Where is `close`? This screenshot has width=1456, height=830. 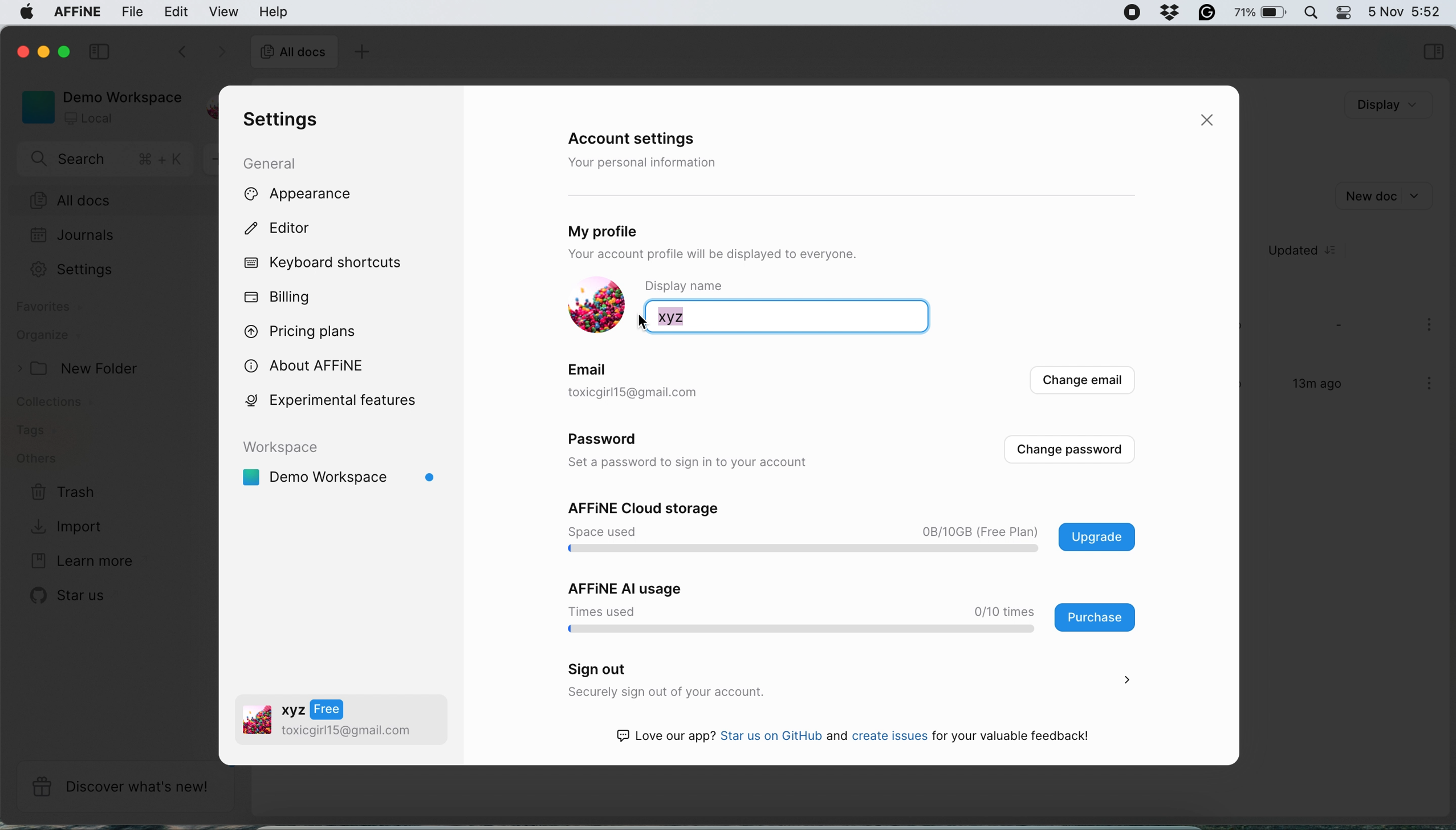
close is located at coordinates (1211, 121).